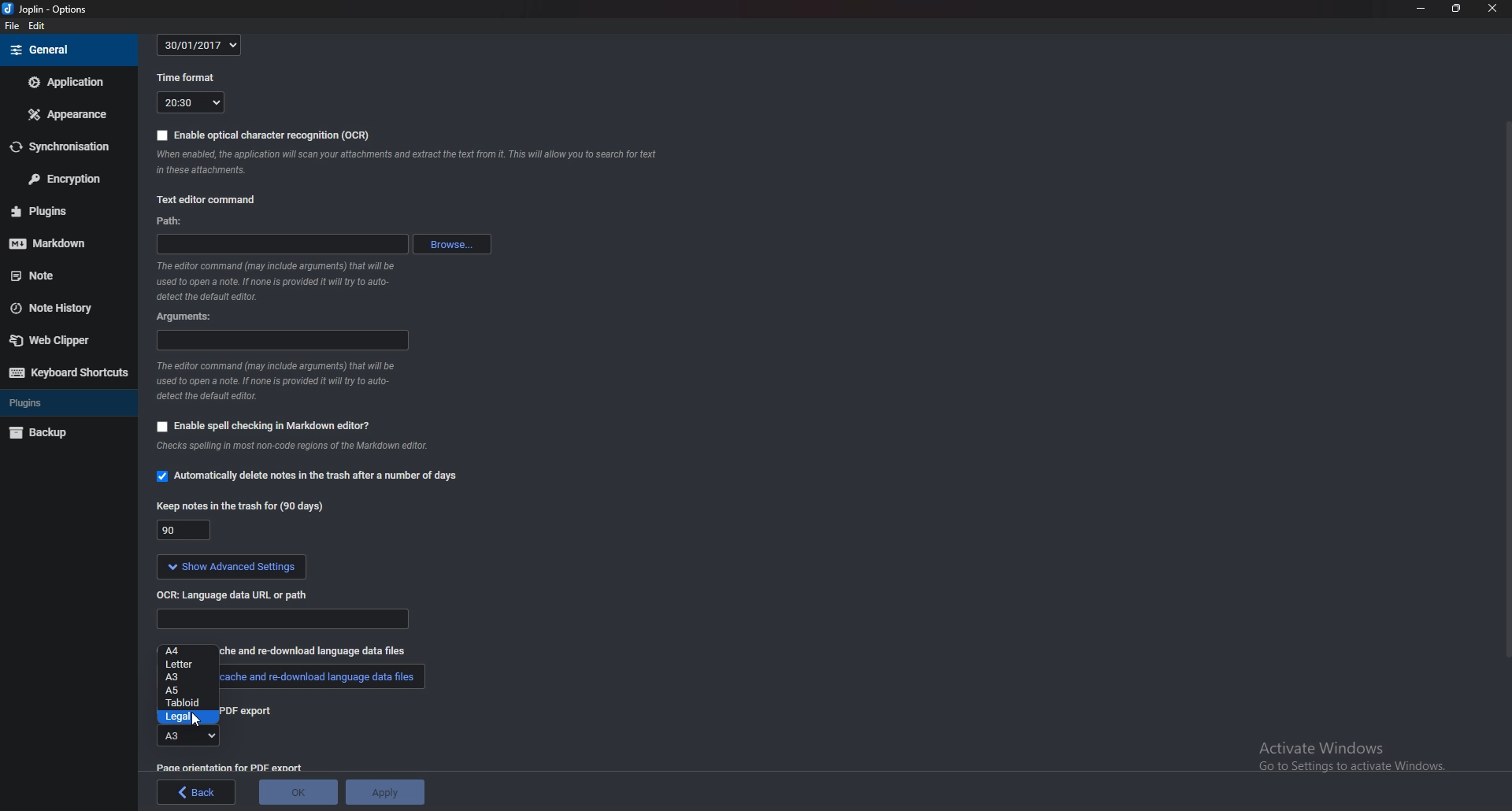 This screenshot has height=811, width=1512. What do you see at coordinates (282, 281) in the screenshot?
I see `Info` at bounding box center [282, 281].